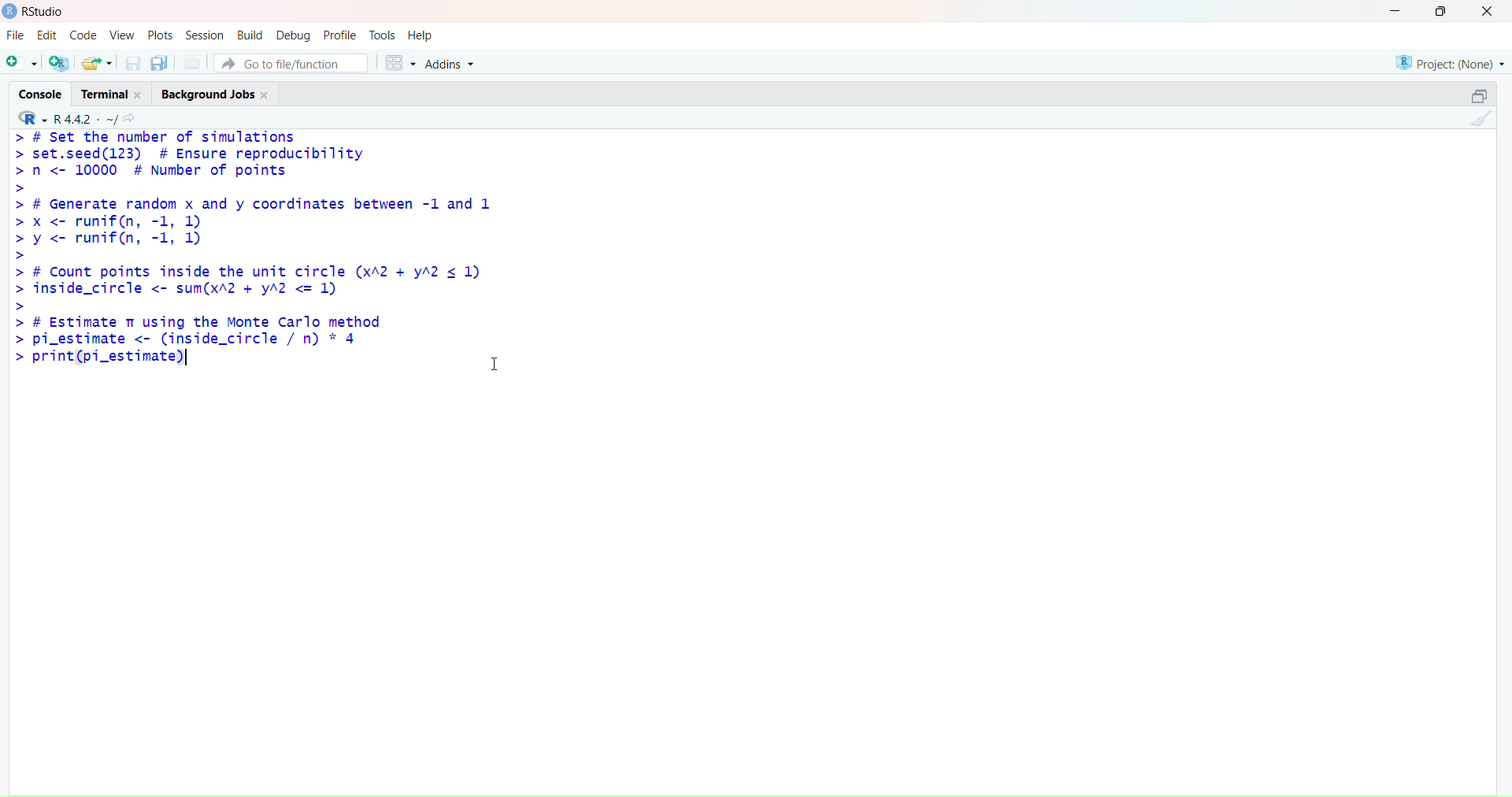 This screenshot has height=797, width=1512. Describe the element at coordinates (498, 358) in the screenshot. I see `Cursor` at that location.